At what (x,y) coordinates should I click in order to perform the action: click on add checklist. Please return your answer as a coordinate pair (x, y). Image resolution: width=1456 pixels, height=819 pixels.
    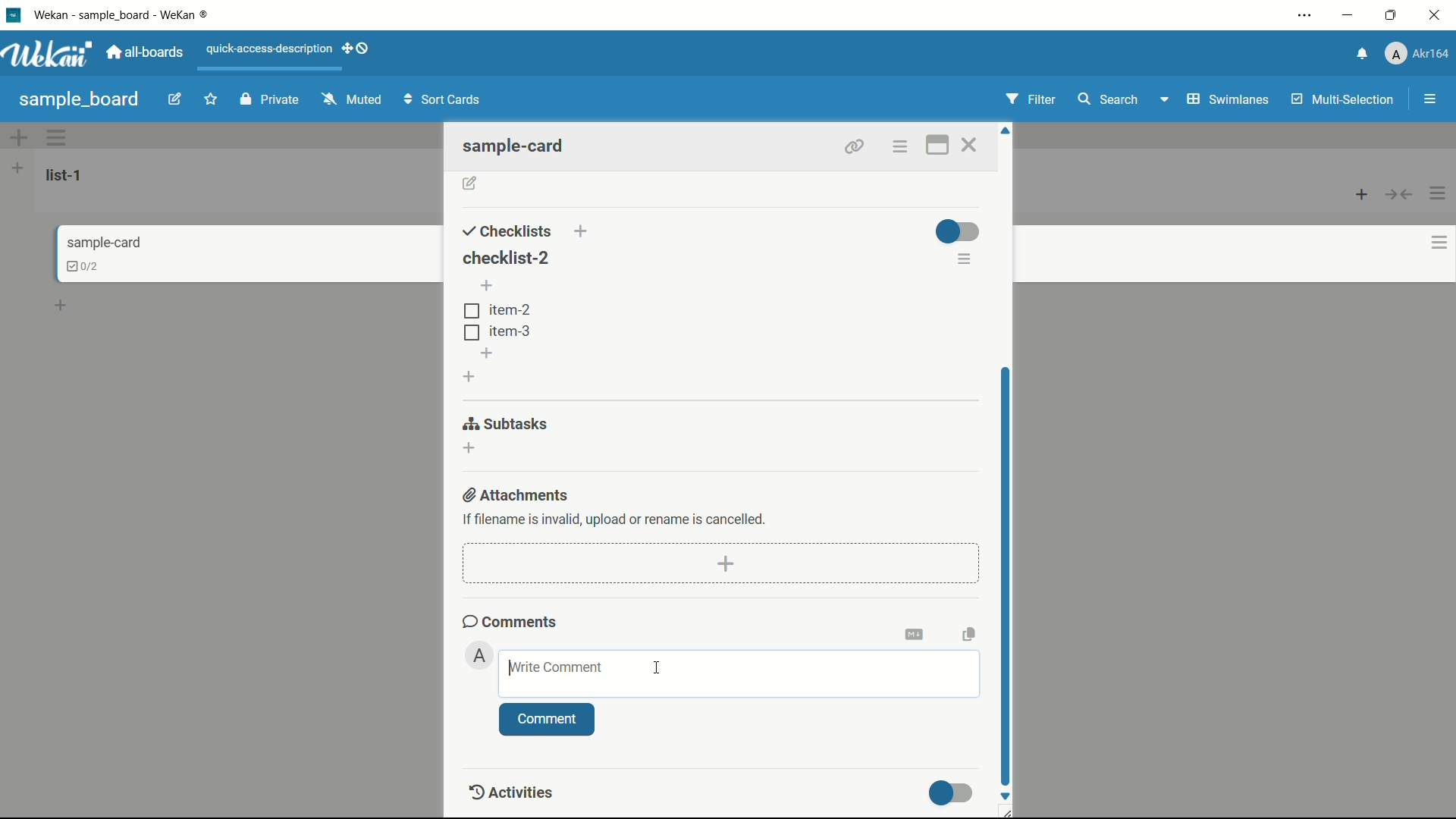
    Looking at the image, I should click on (470, 376).